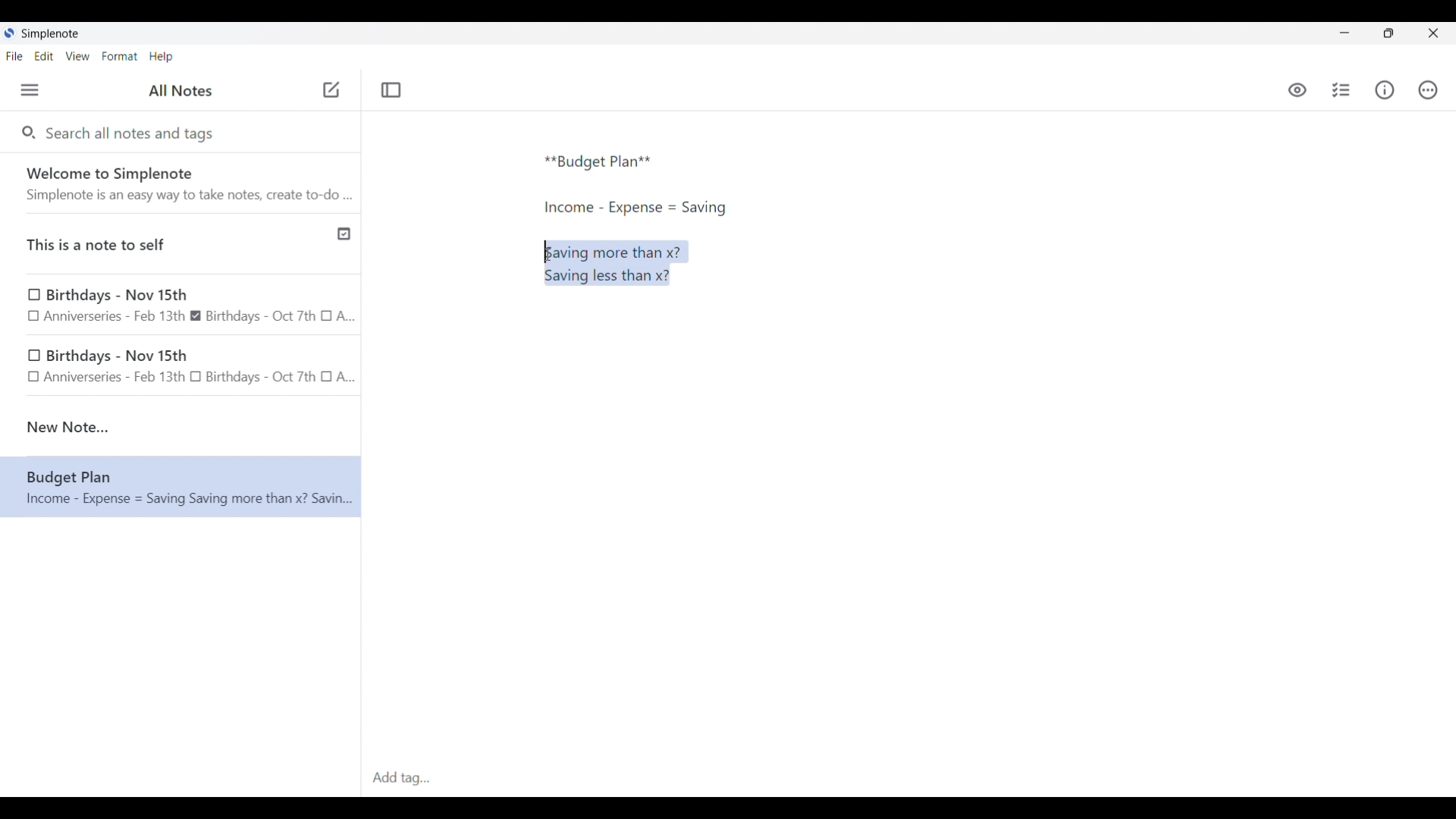 This screenshot has width=1456, height=819. I want to click on new note, so click(180, 427).